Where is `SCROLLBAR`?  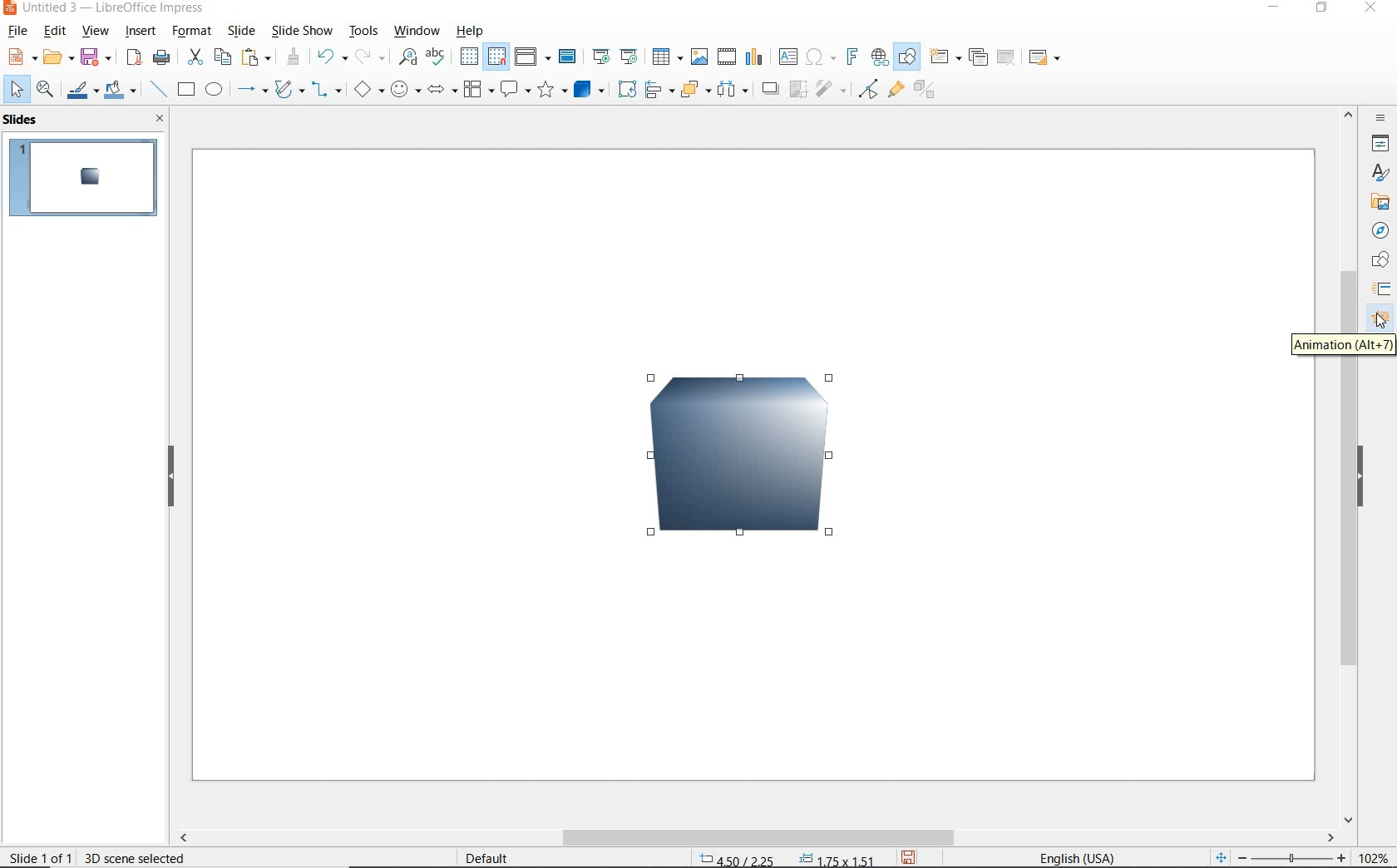 SCROLLBAR is located at coordinates (1345, 592).